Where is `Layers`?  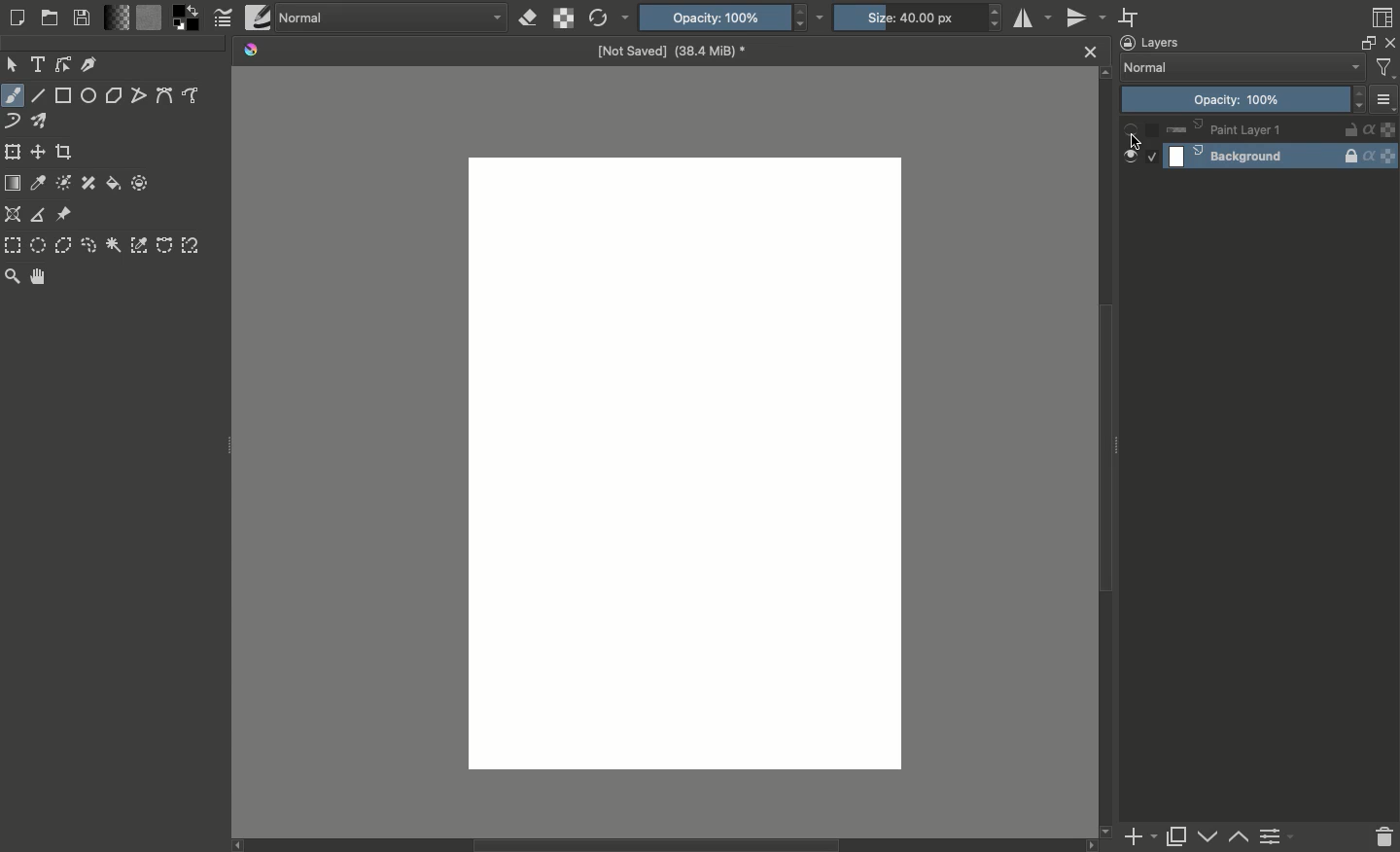
Layers is located at coordinates (1150, 42).